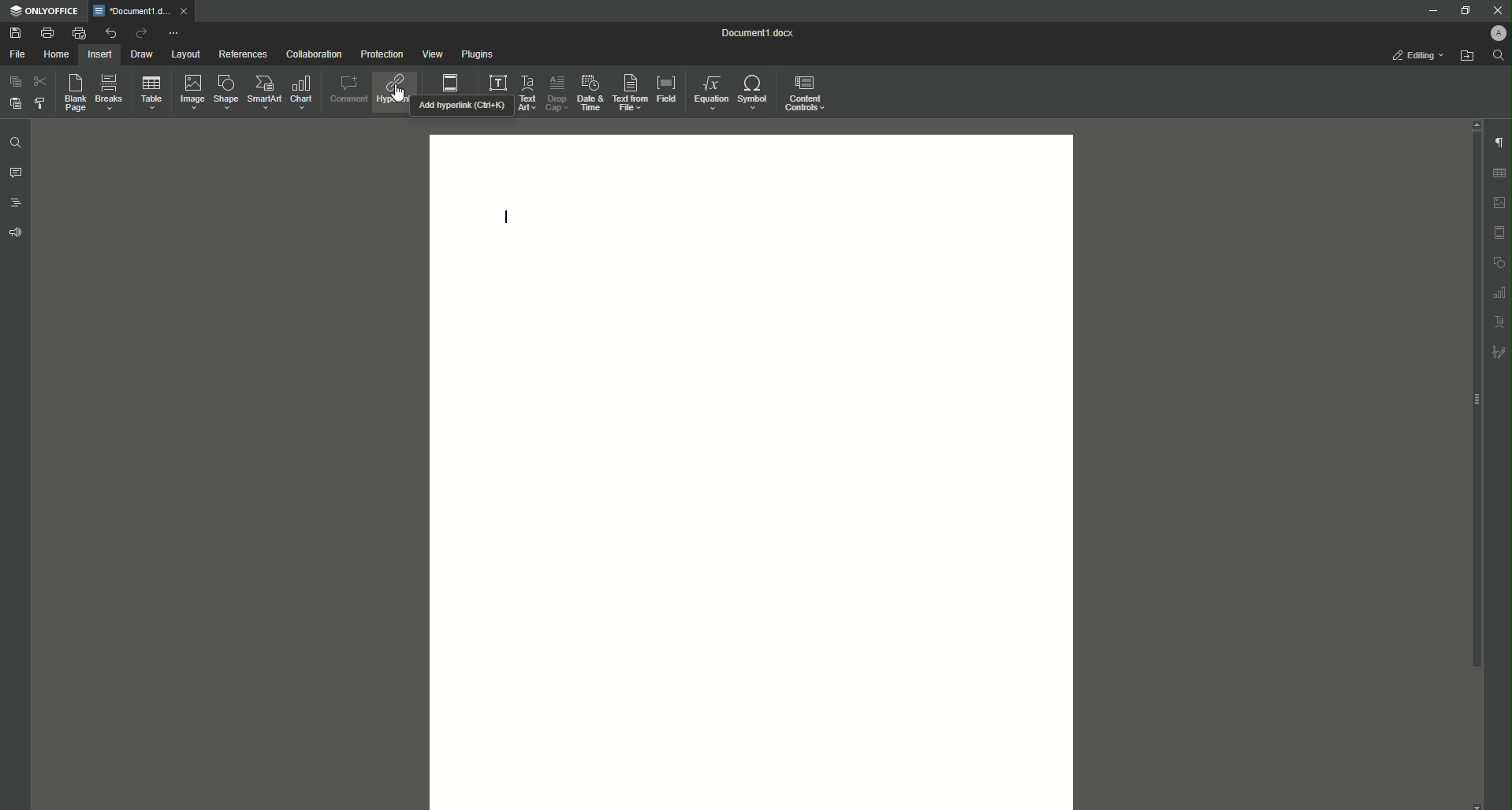  Describe the element at coordinates (382, 55) in the screenshot. I see `Protection` at that location.